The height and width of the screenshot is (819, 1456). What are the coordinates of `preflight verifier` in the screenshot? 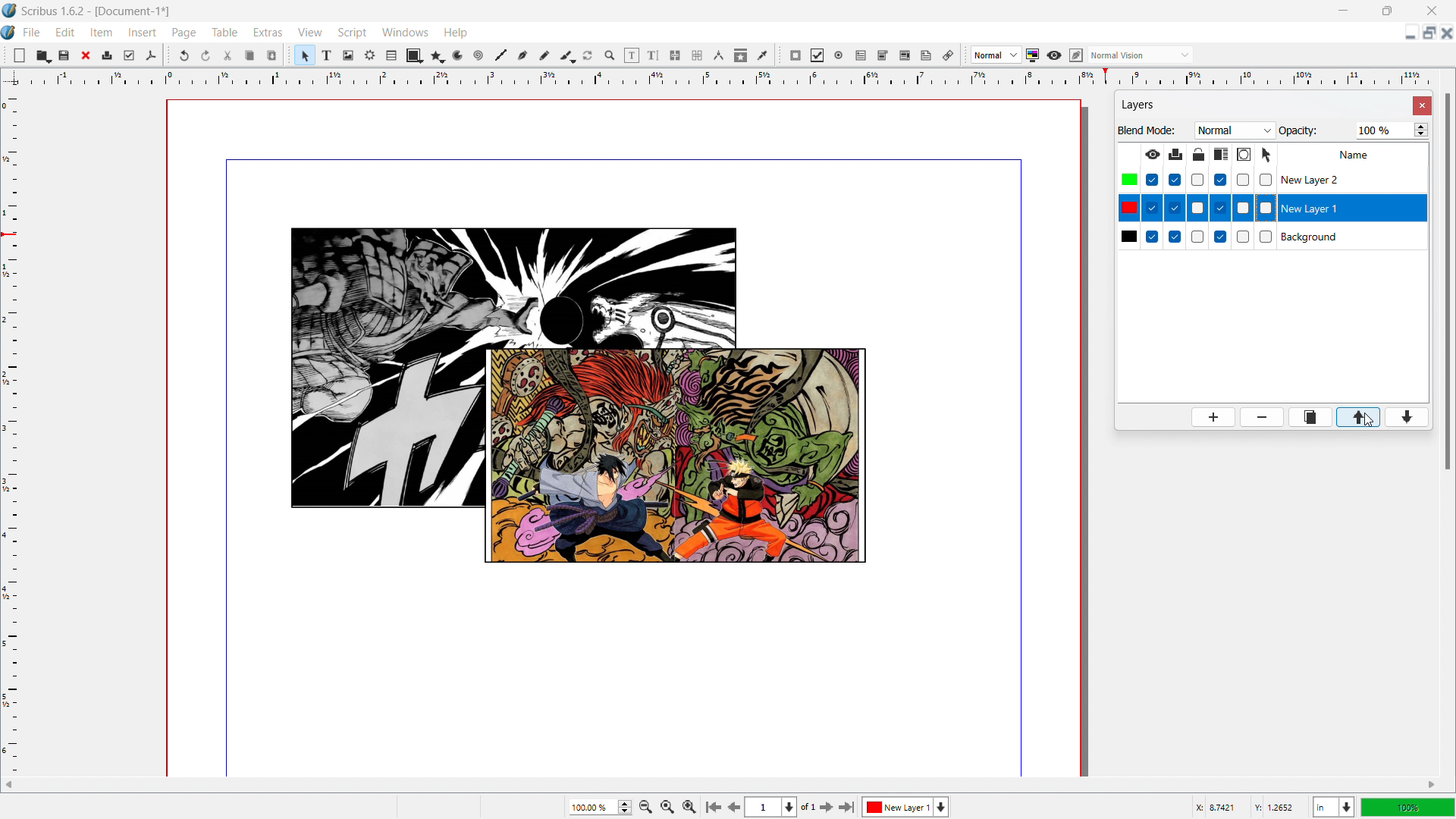 It's located at (129, 55).